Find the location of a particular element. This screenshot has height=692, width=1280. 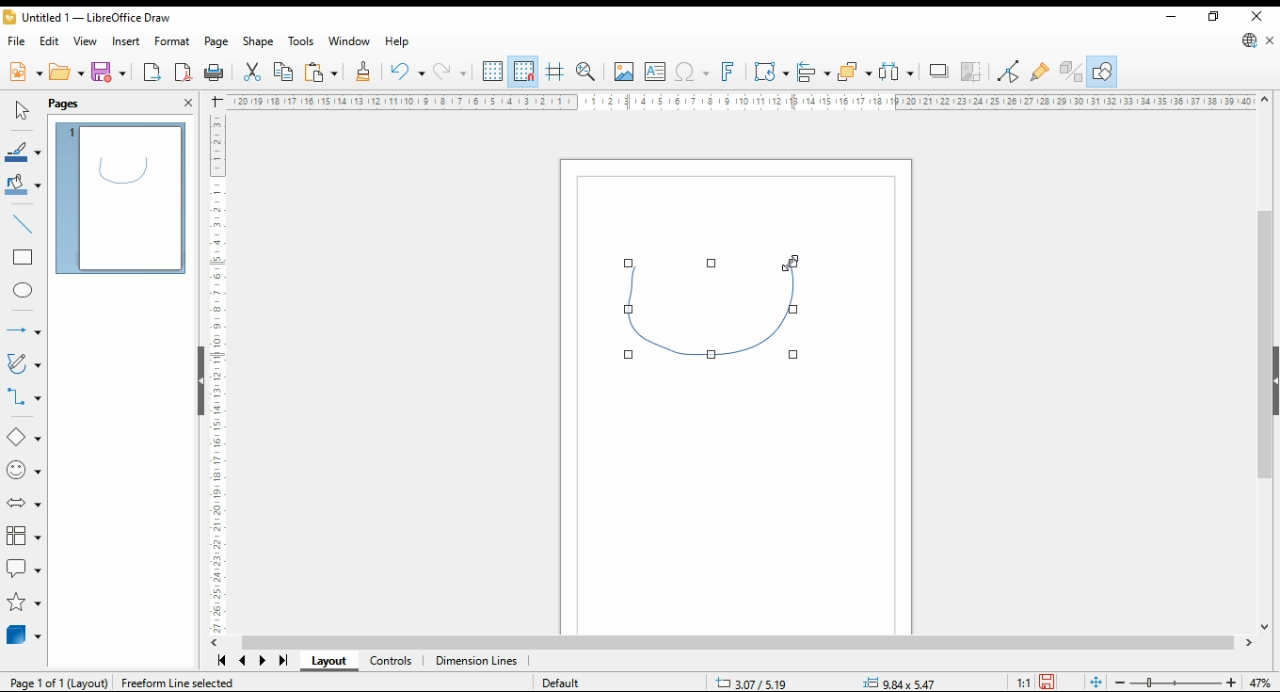

shape is located at coordinates (257, 41).